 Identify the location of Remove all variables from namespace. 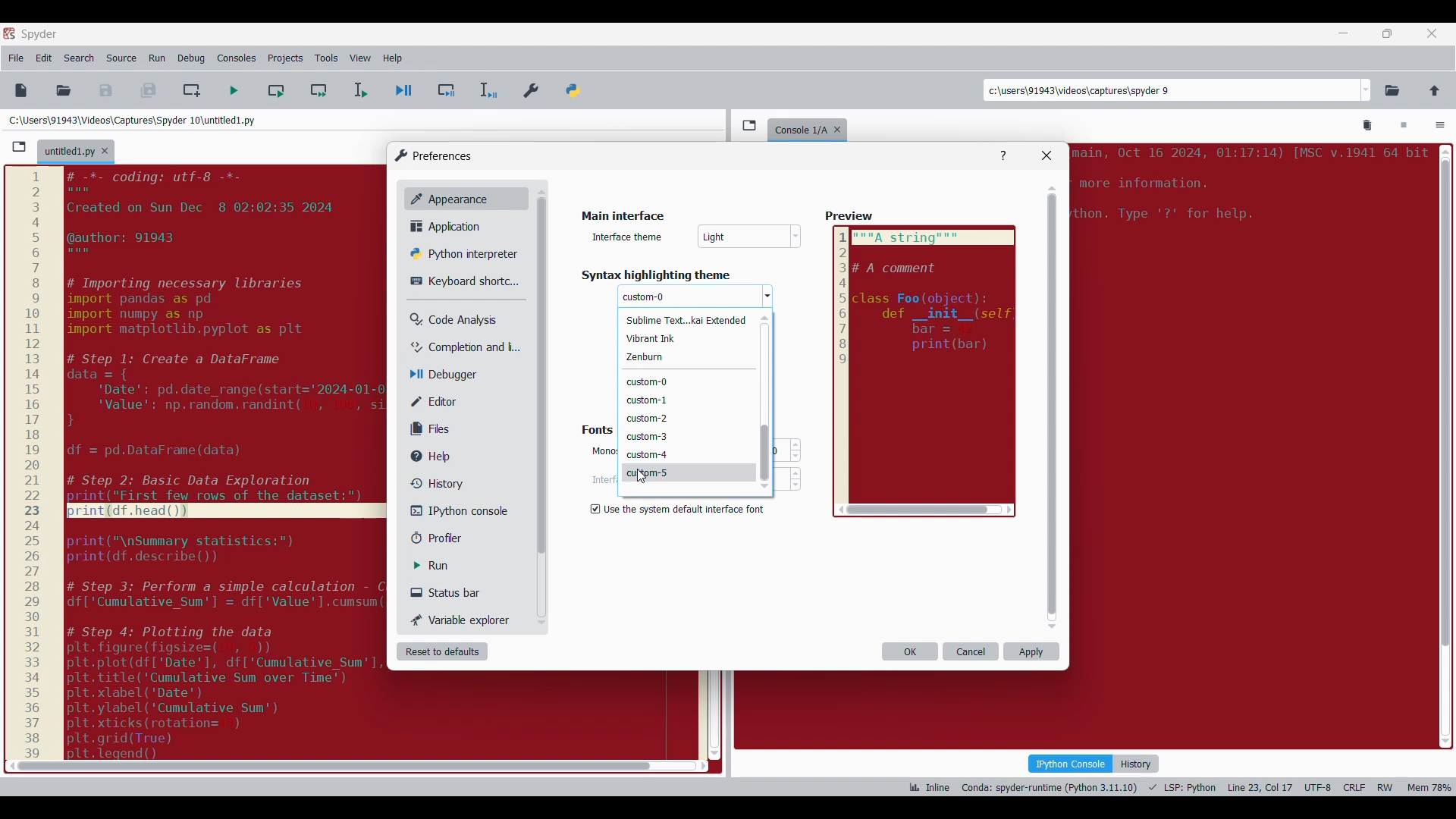
(1368, 126).